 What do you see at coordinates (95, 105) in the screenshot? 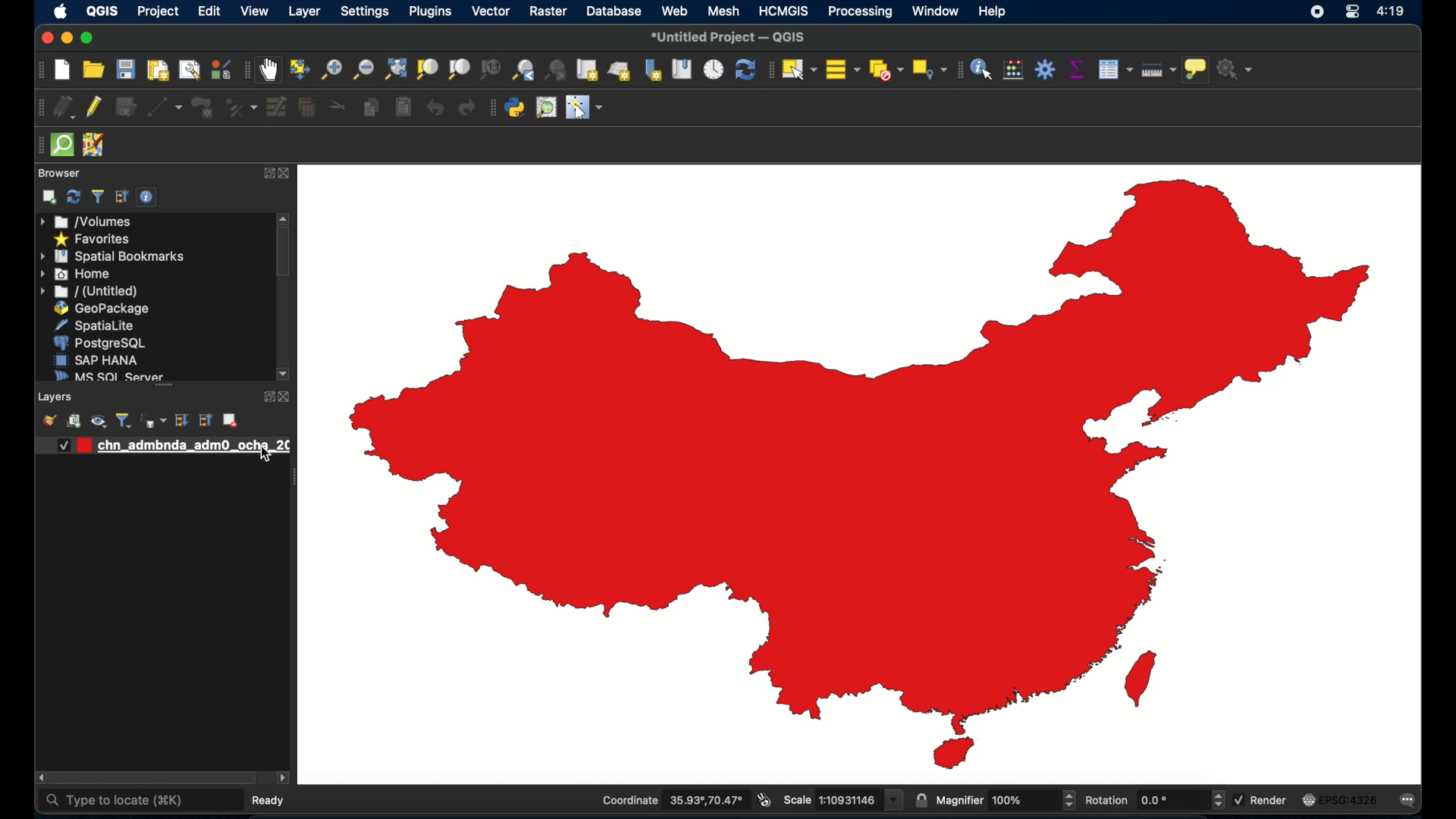
I see `toggle editing` at bounding box center [95, 105].